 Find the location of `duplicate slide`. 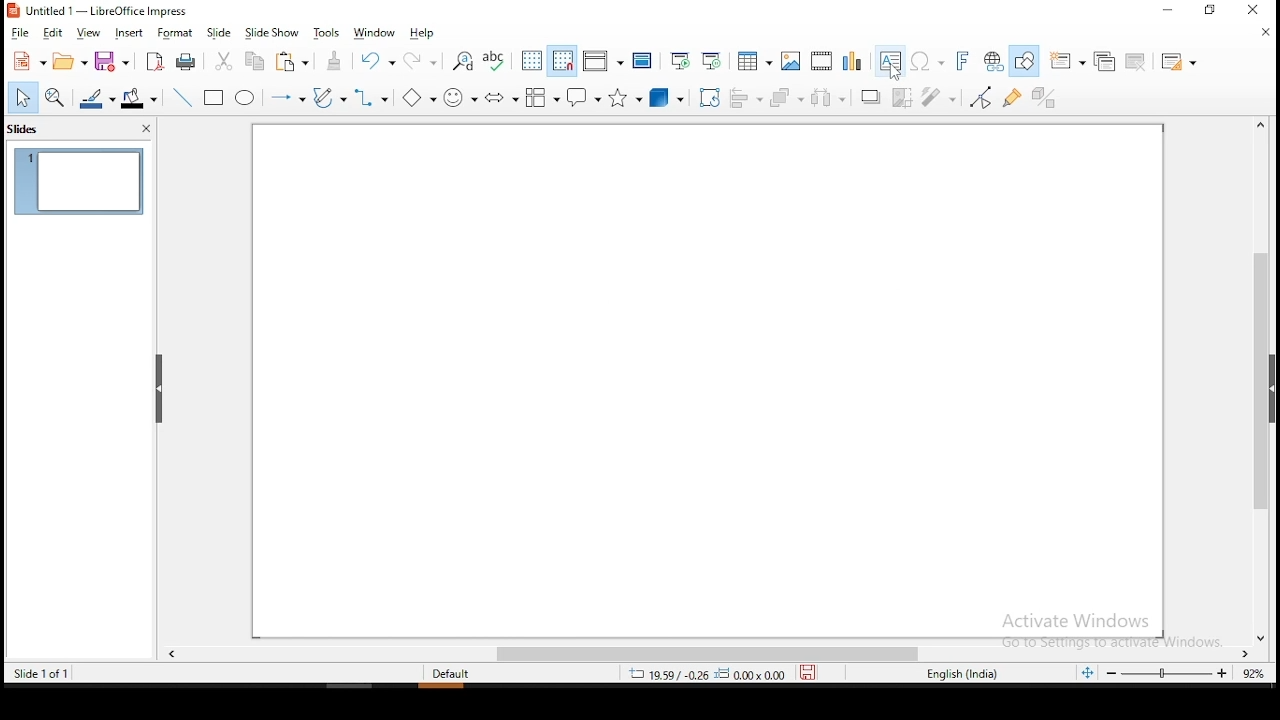

duplicate slide is located at coordinates (1108, 60).